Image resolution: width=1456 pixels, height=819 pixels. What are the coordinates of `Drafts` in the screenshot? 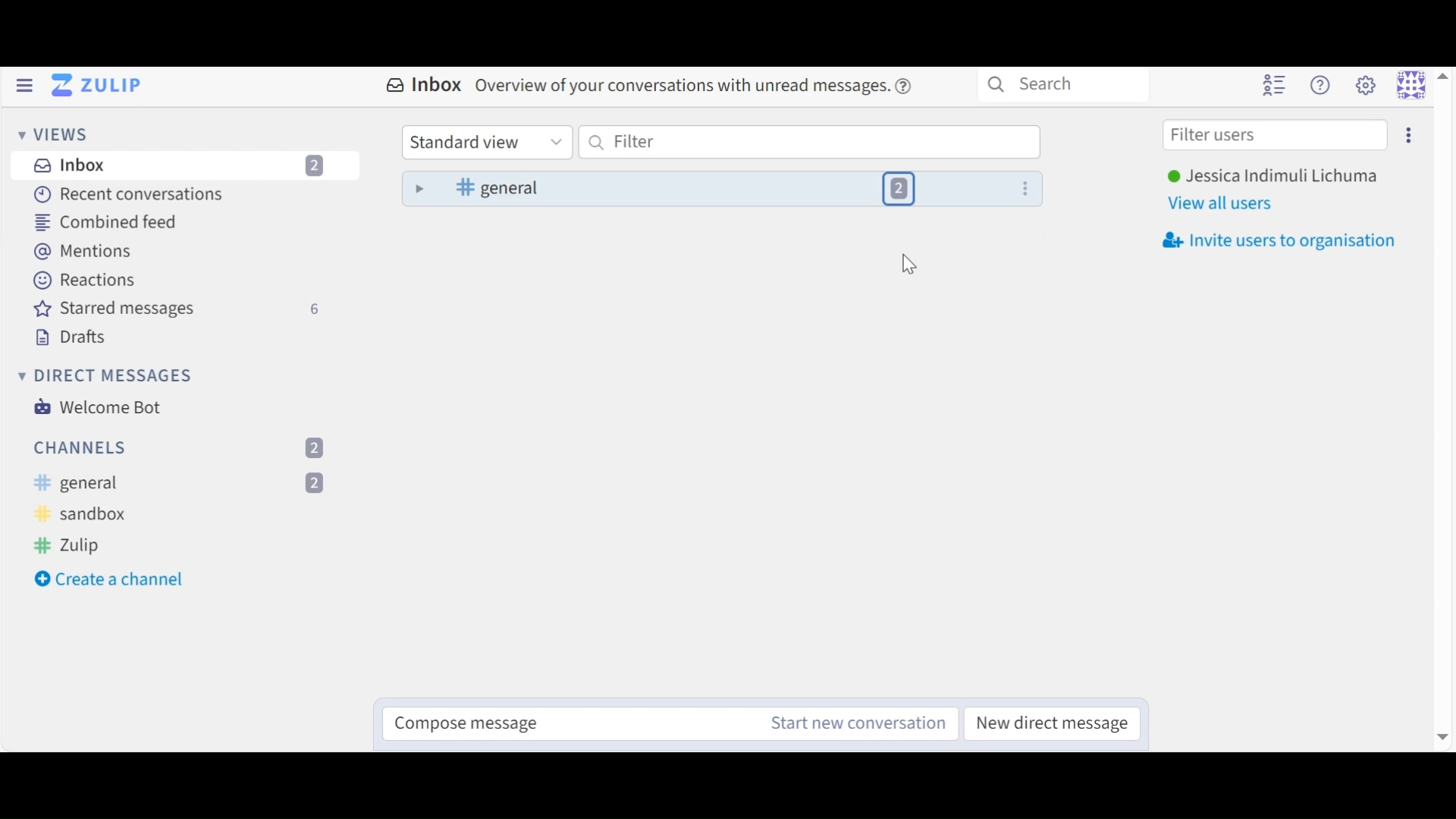 It's located at (81, 339).